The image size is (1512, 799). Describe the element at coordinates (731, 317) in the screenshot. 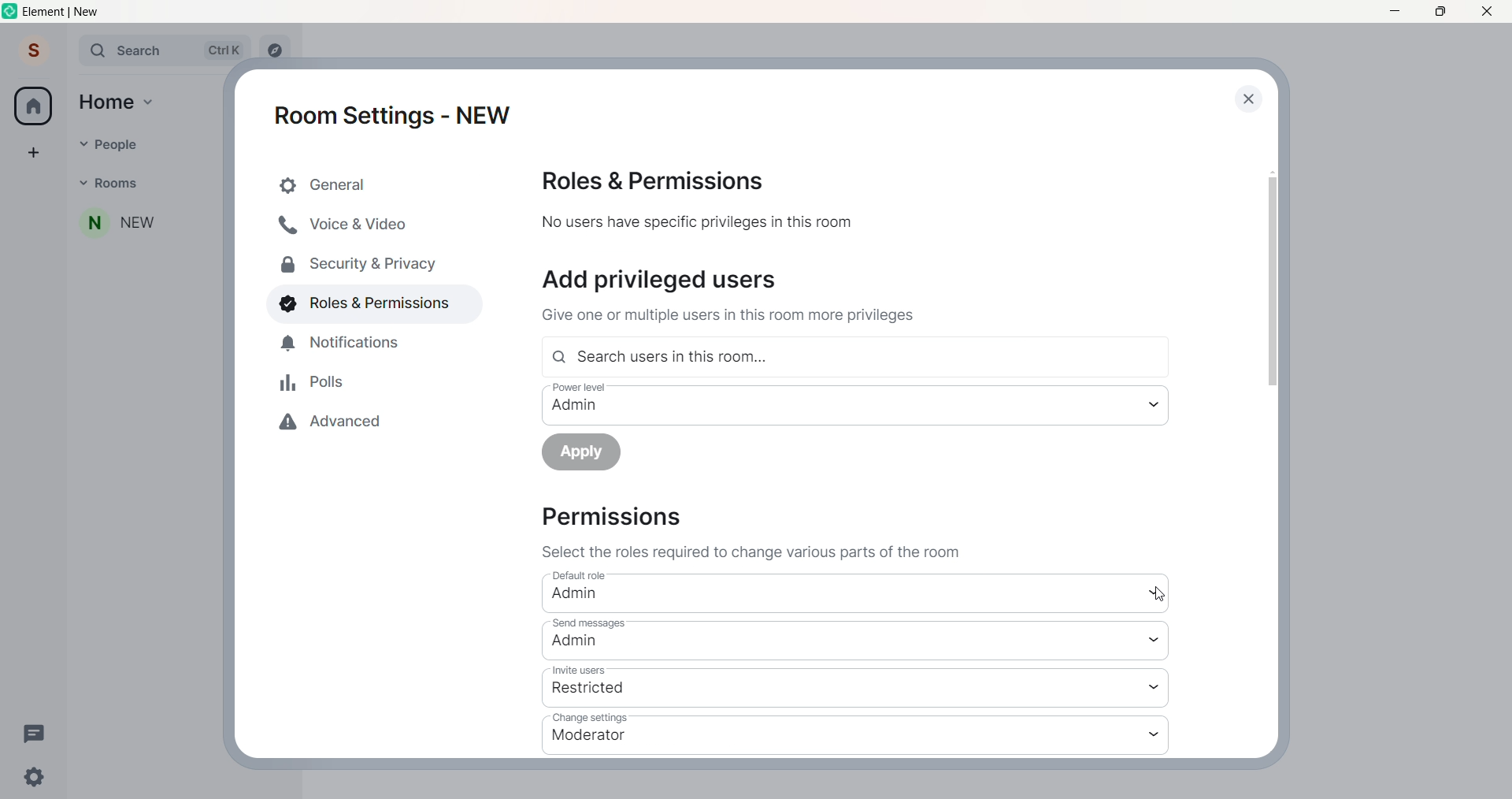

I see `text` at that location.